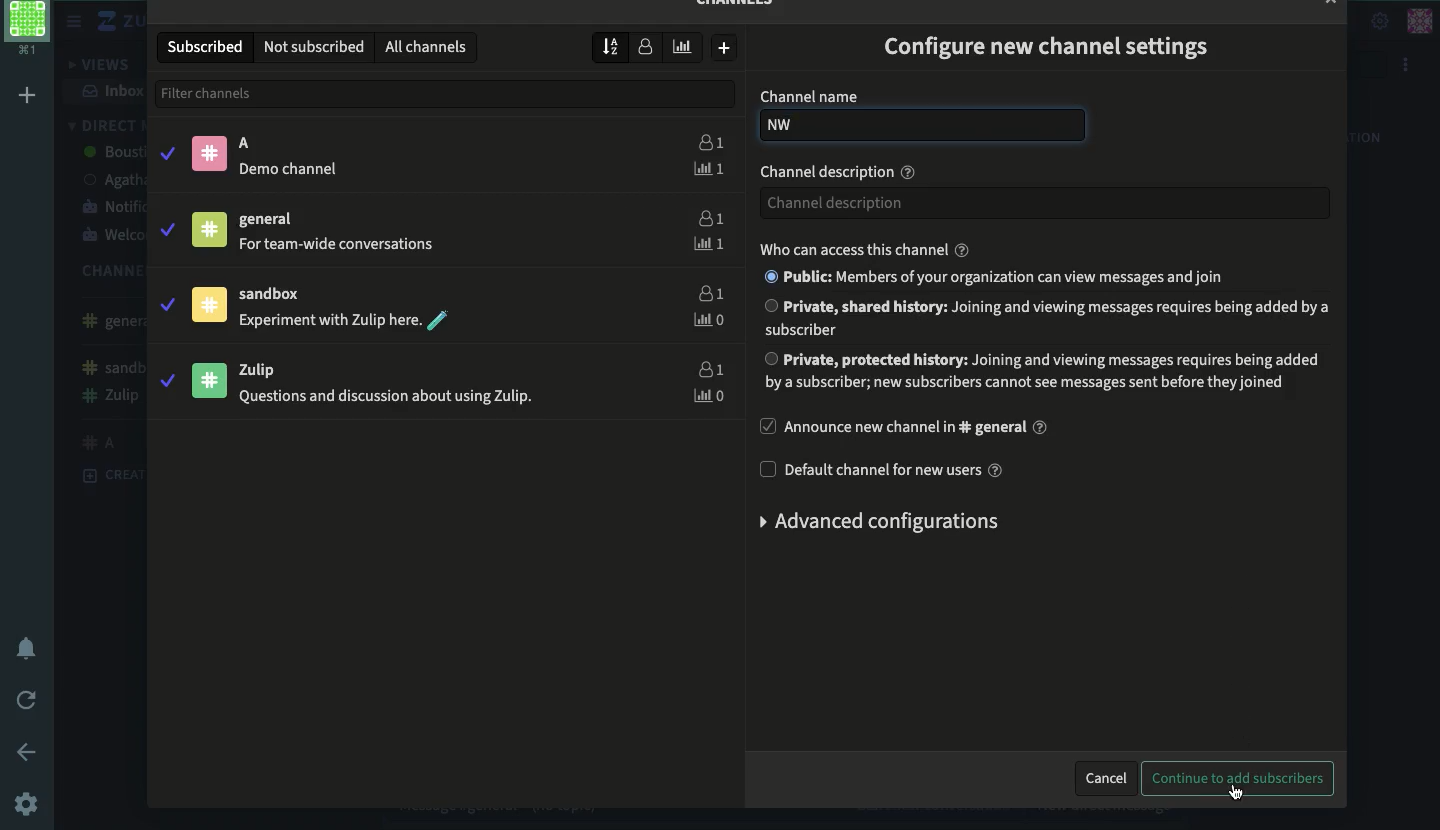 The height and width of the screenshot is (830, 1440). Describe the element at coordinates (27, 803) in the screenshot. I see `settings` at that location.